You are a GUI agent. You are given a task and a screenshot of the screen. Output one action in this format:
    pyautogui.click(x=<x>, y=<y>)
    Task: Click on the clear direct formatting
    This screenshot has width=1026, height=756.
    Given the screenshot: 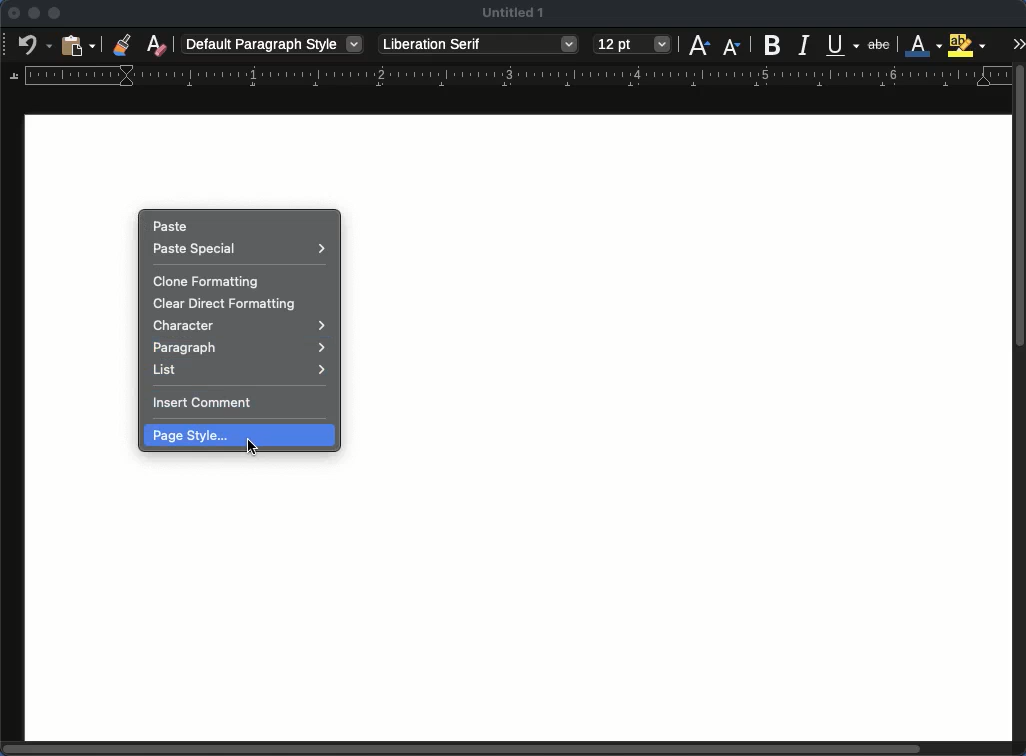 What is the action you would take?
    pyautogui.click(x=228, y=305)
    